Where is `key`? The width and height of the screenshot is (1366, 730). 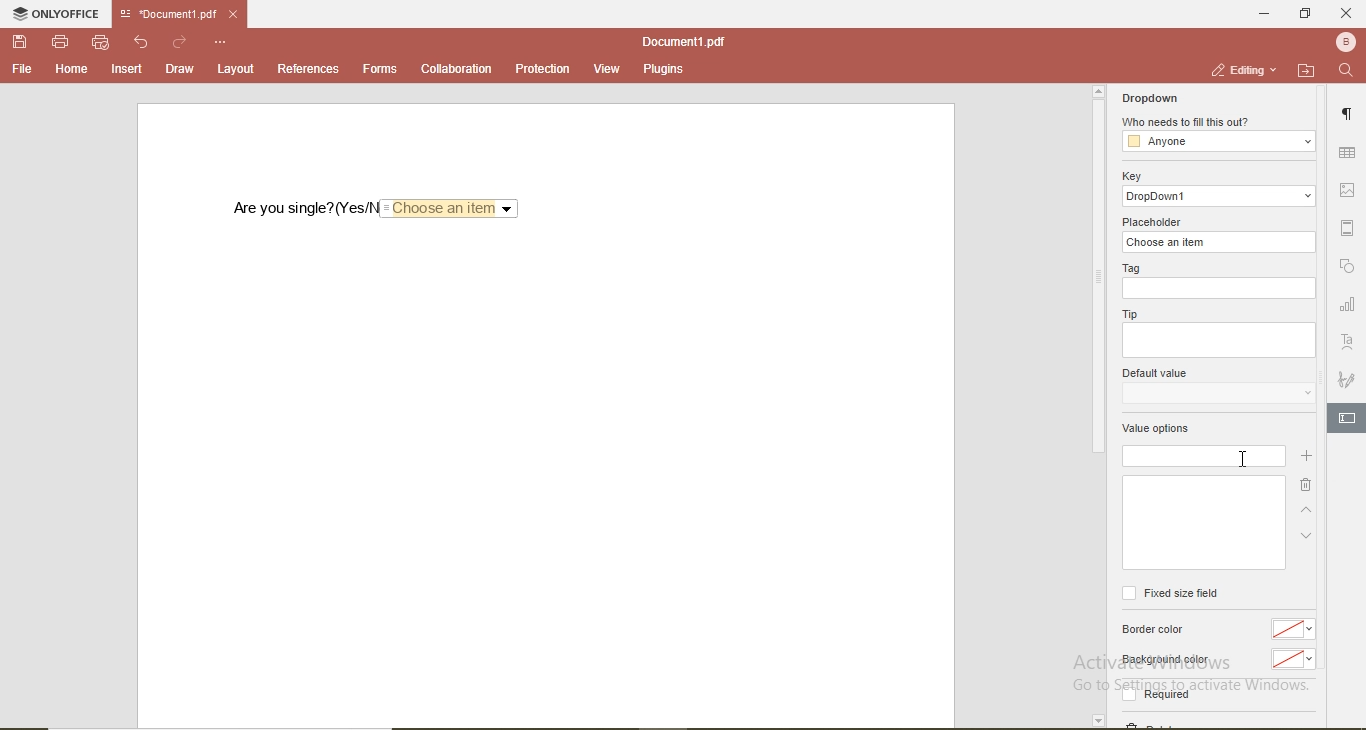 key is located at coordinates (1135, 176).